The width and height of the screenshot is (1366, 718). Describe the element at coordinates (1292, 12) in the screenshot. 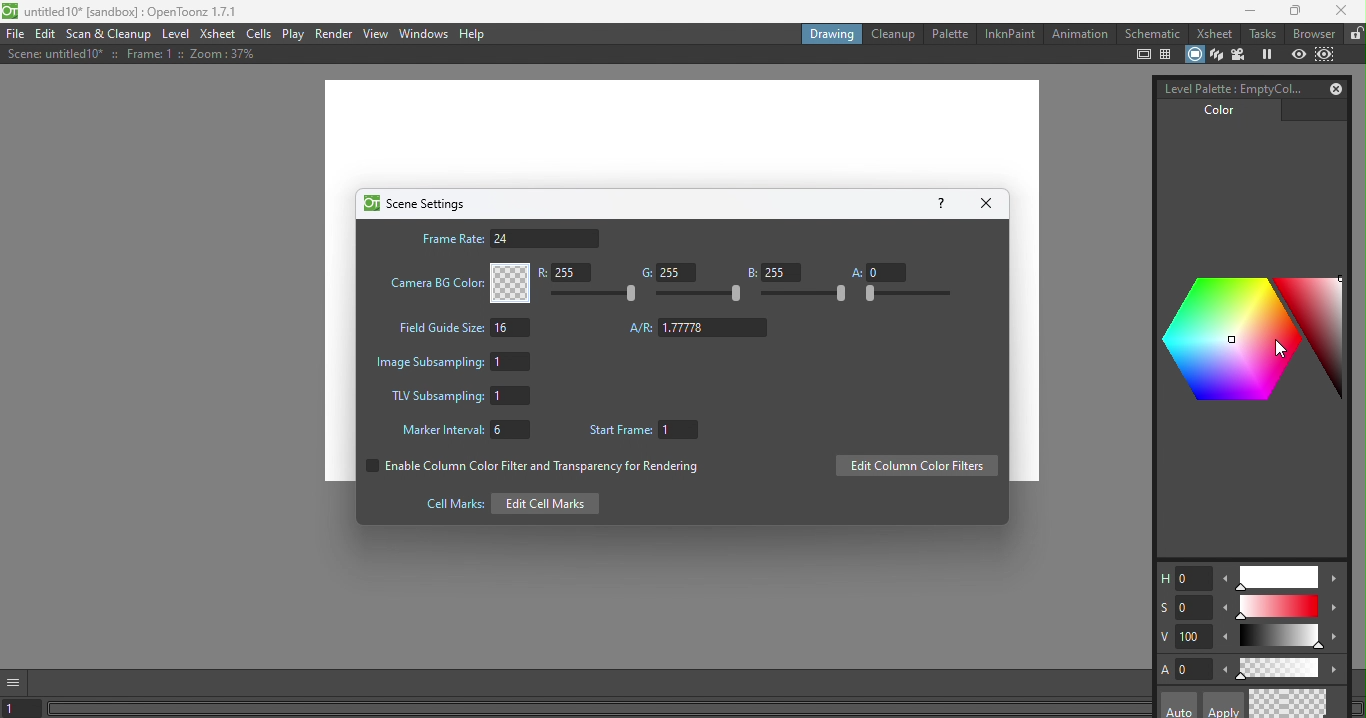

I see `Maximize` at that location.